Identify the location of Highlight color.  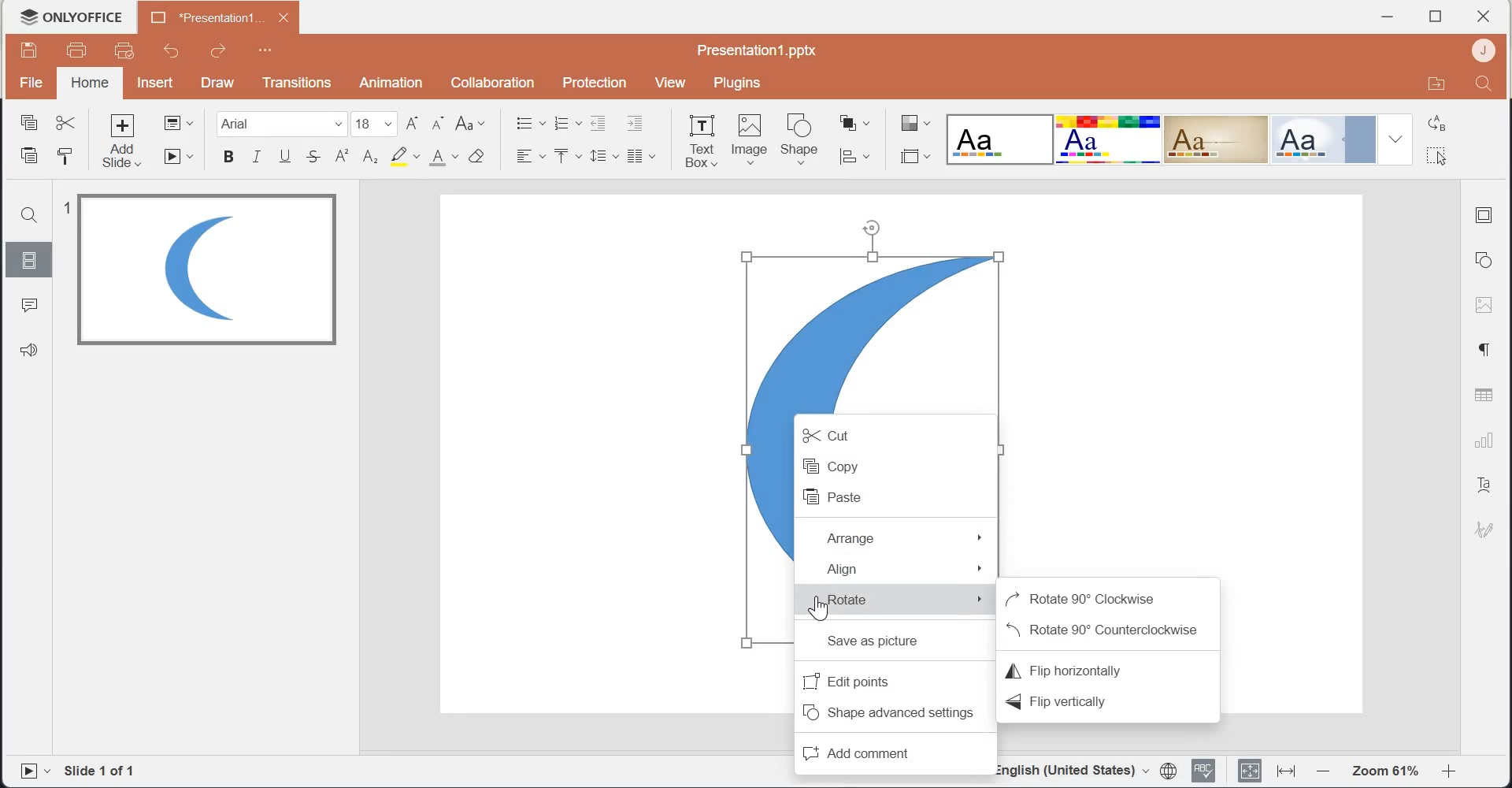
(406, 156).